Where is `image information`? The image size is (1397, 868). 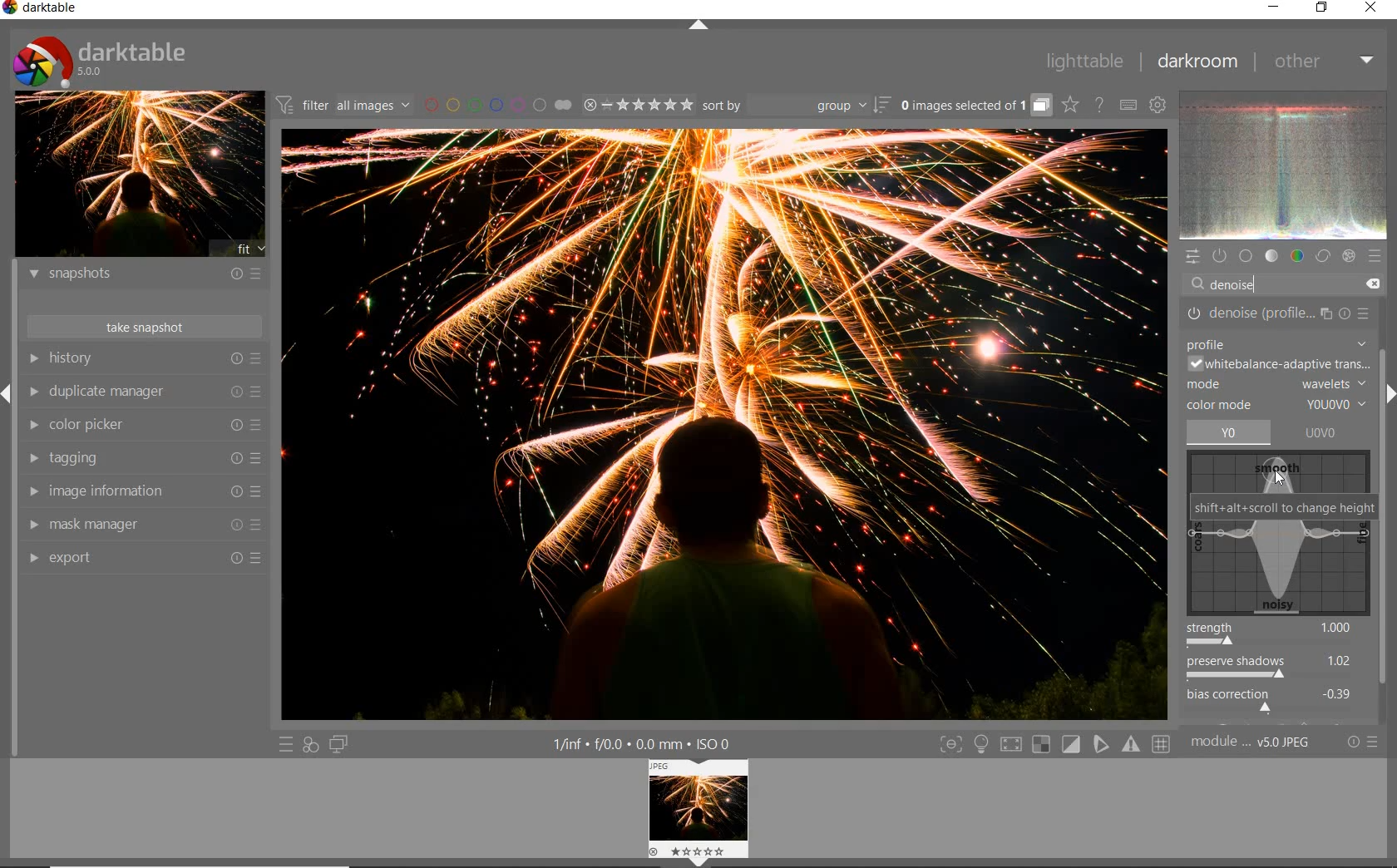 image information is located at coordinates (144, 491).